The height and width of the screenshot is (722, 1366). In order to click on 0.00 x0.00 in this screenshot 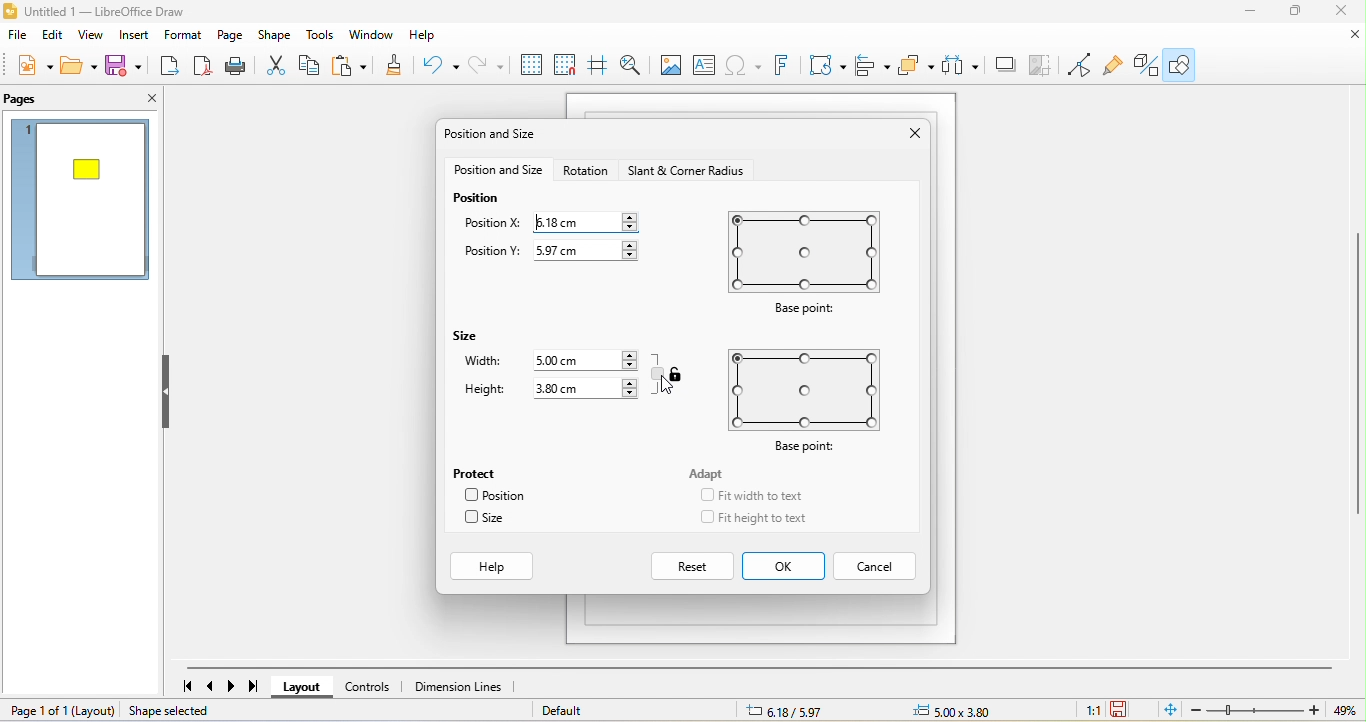, I will do `click(969, 709)`.